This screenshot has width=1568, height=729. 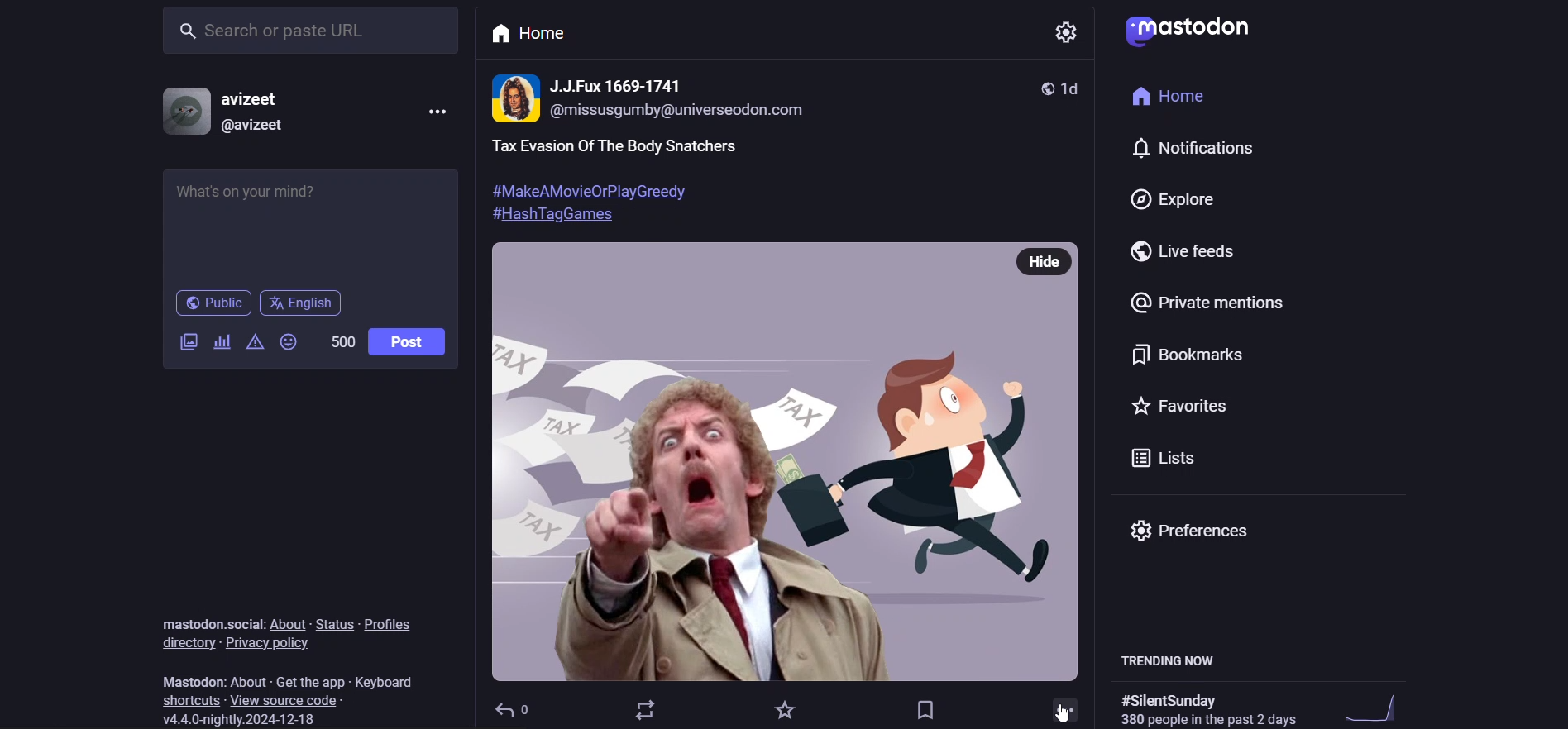 What do you see at coordinates (778, 488) in the screenshot?
I see `image` at bounding box center [778, 488].